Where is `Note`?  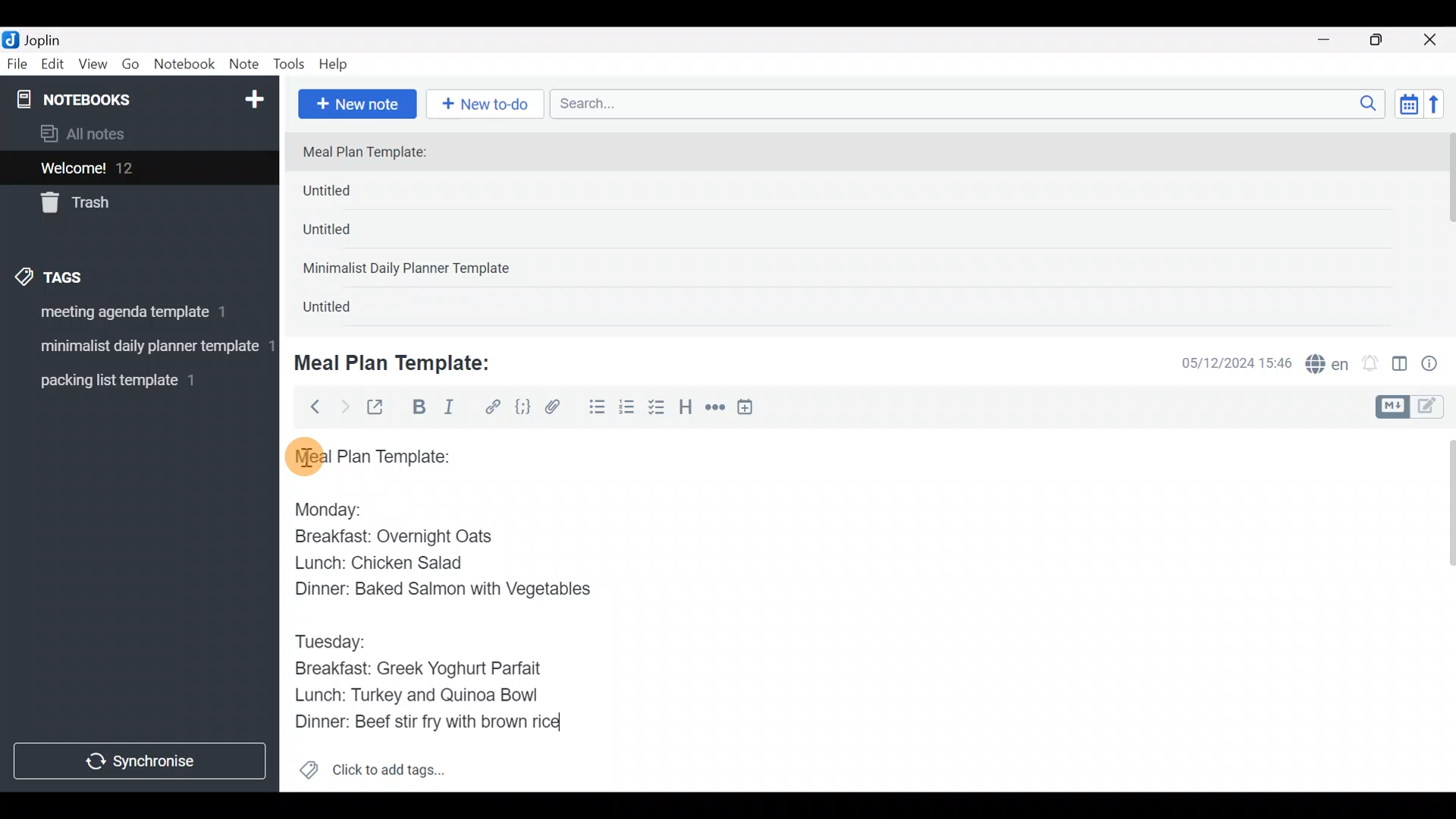
Note is located at coordinates (247, 65).